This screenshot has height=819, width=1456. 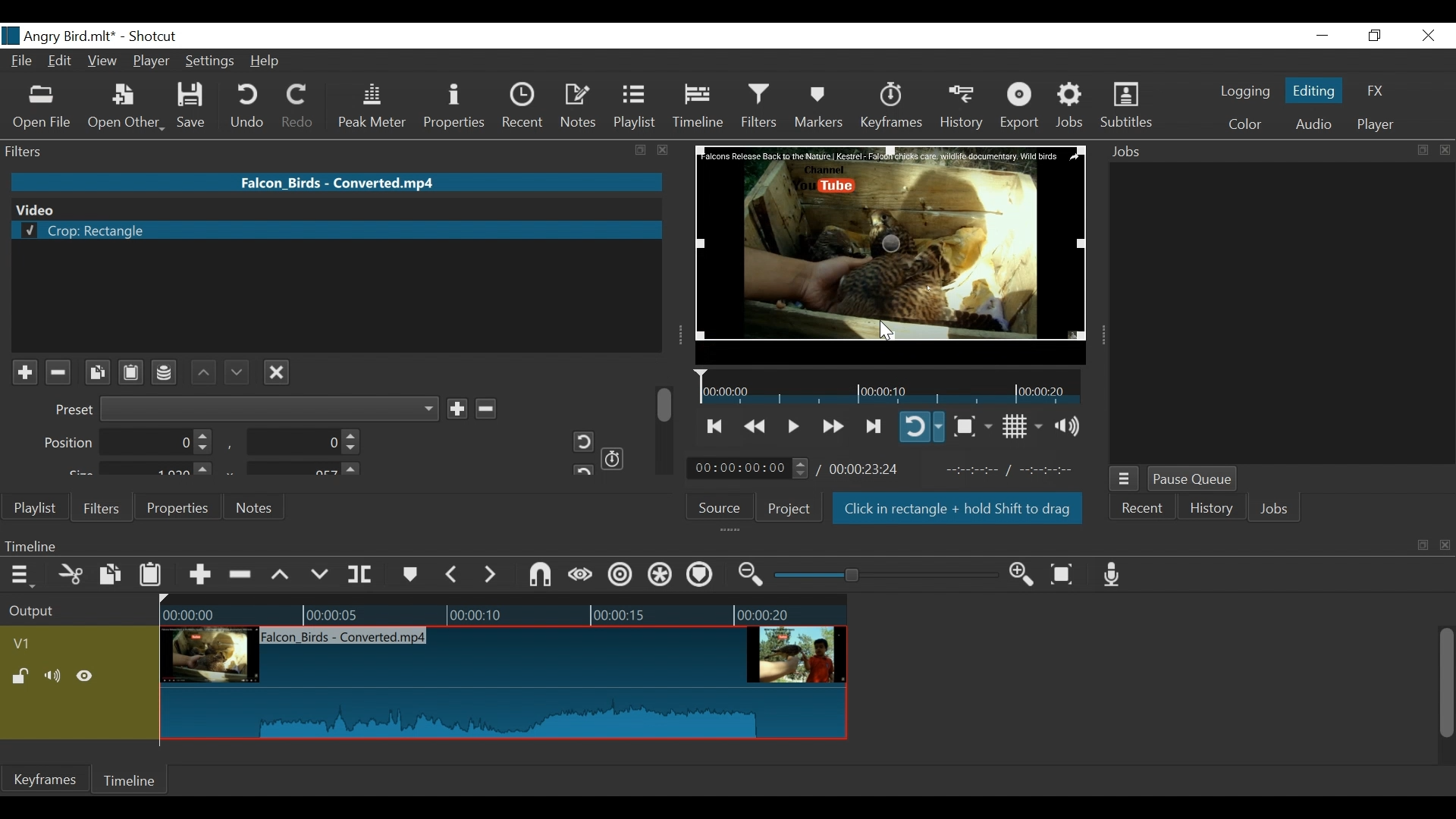 What do you see at coordinates (1447, 546) in the screenshot?
I see `close` at bounding box center [1447, 546].